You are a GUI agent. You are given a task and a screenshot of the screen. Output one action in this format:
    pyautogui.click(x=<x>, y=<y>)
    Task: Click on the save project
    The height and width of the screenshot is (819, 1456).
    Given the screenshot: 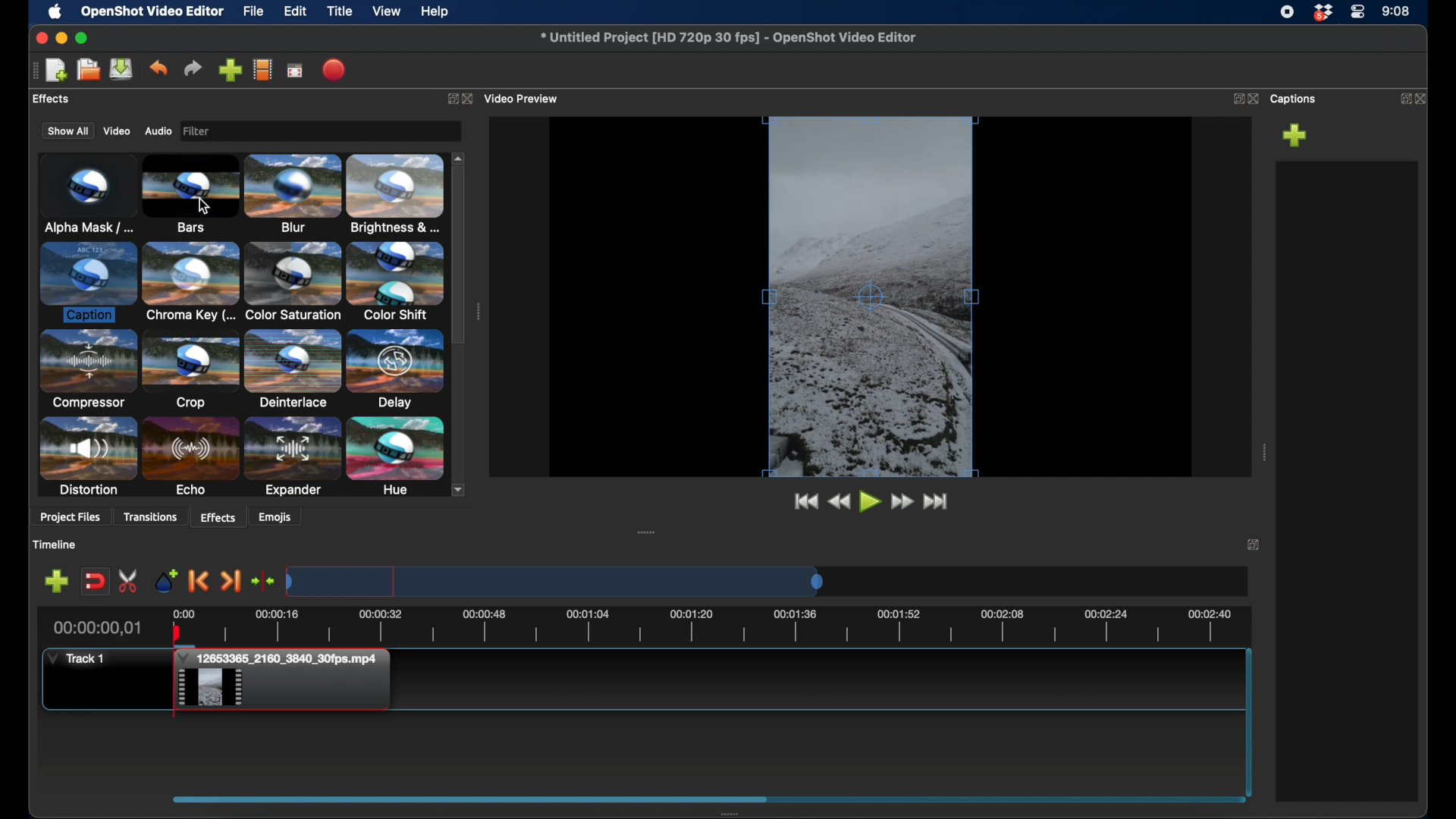 What is the action you would take?
    pyautogui.click(x=122, y=70)
    